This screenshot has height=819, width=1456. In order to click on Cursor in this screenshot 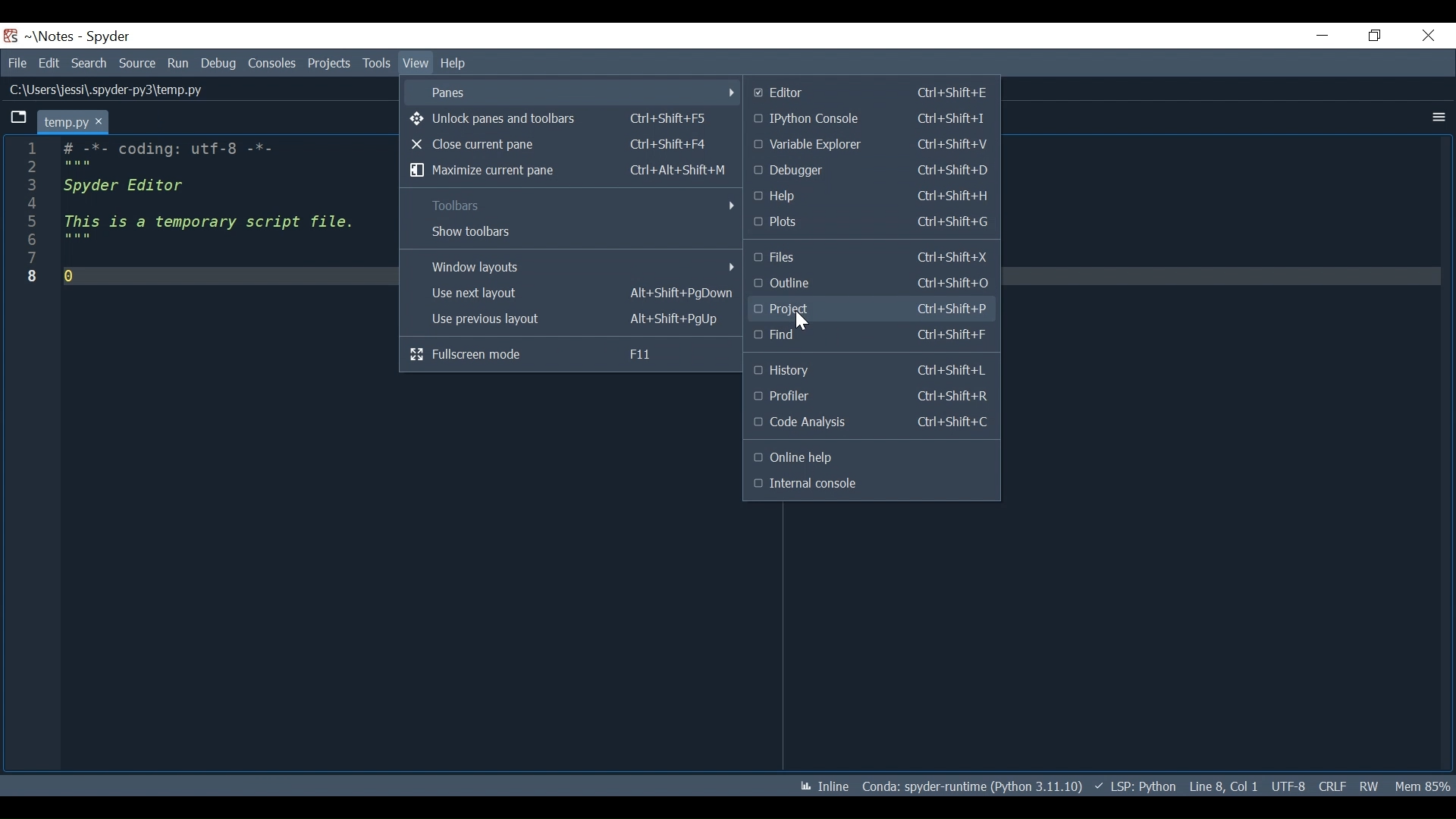, I will do `click(800, 321)`.